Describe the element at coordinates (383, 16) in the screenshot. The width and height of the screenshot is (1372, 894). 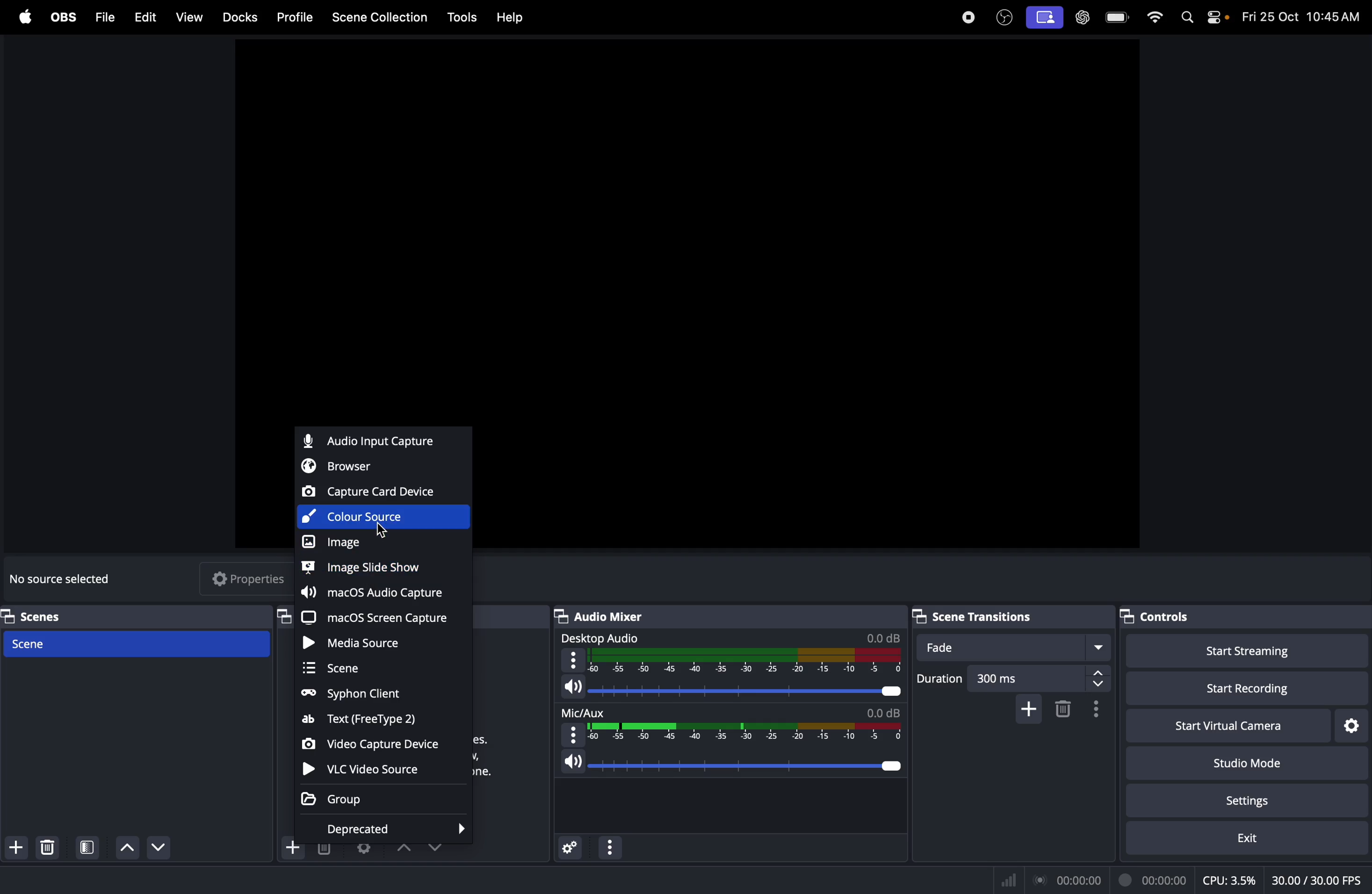
I see `Scene collection` at that location.